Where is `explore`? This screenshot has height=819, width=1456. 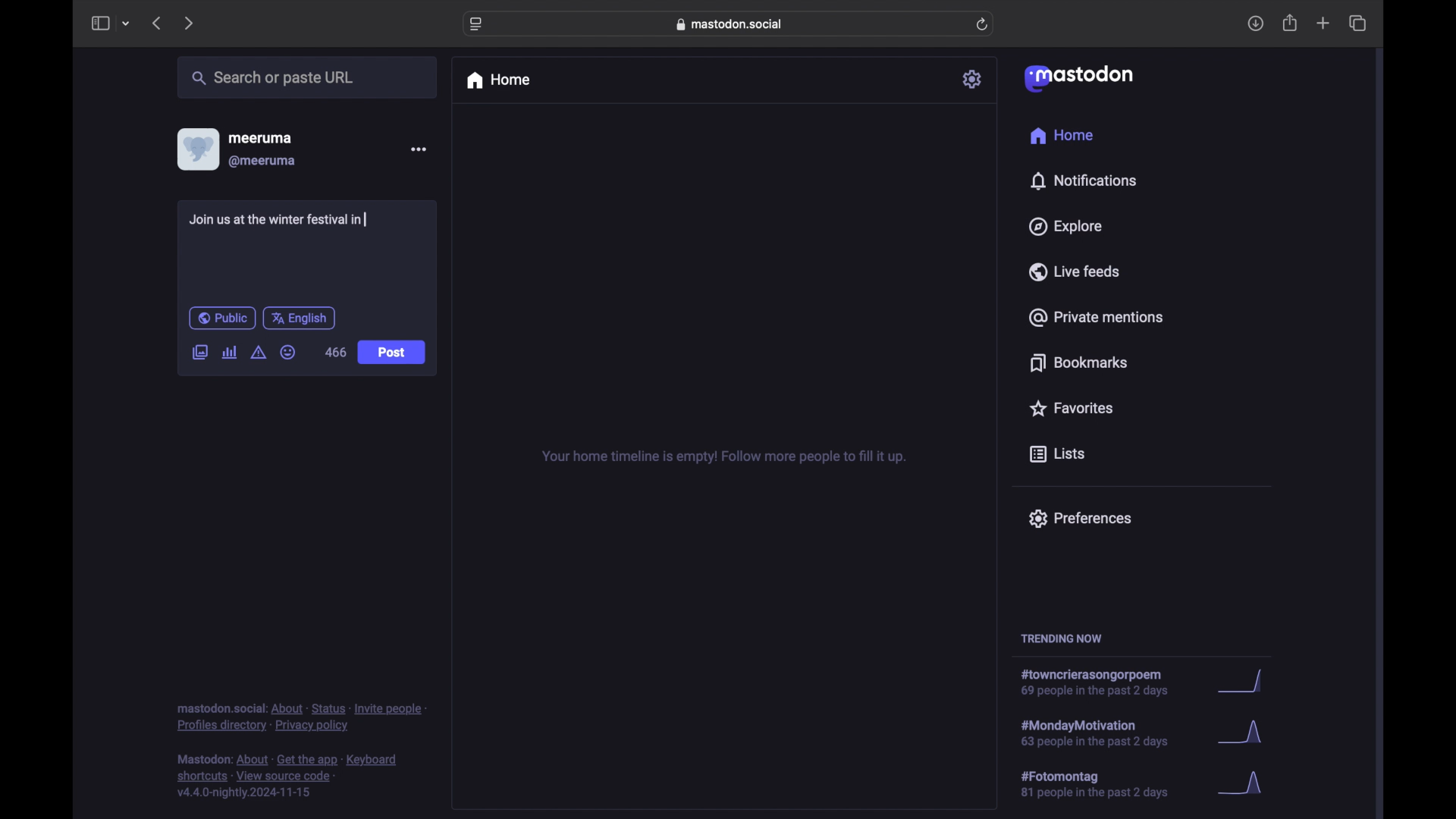
explore is located at coordinates (1064, 227).